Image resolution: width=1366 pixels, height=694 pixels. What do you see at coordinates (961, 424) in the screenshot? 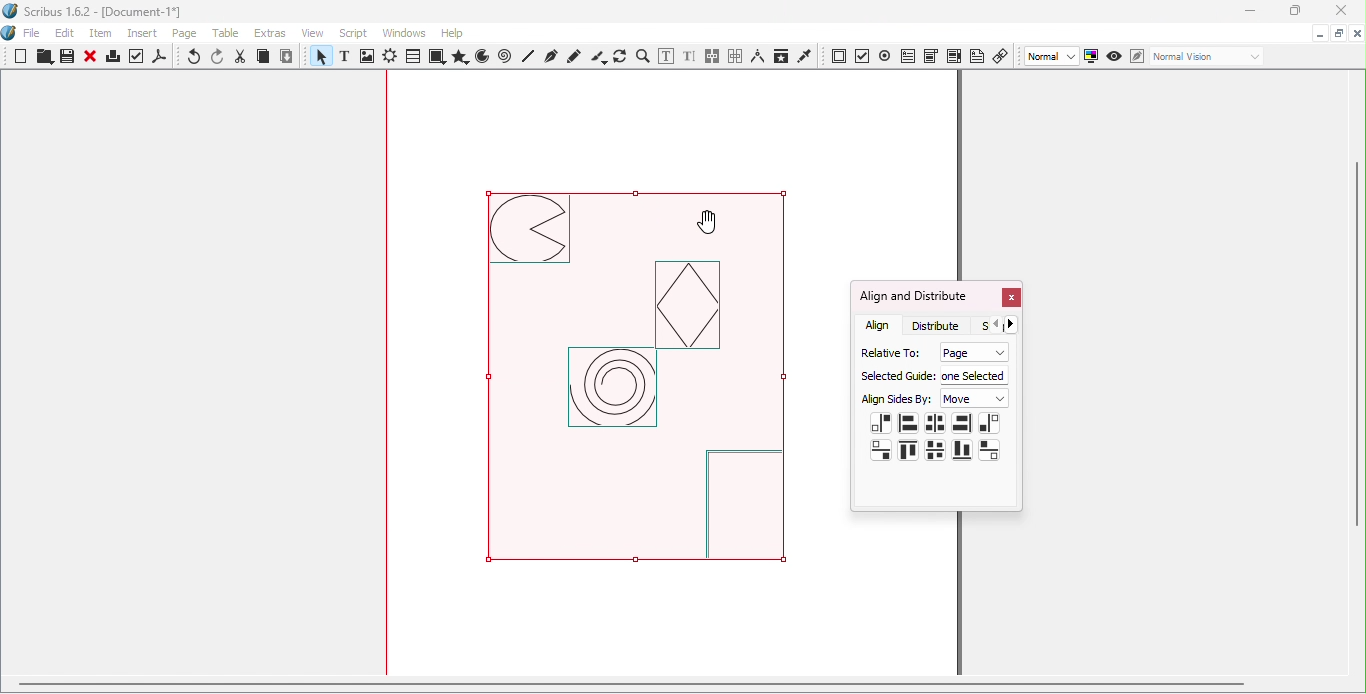
I see `Align right sides` at bounding box center [961, 424].